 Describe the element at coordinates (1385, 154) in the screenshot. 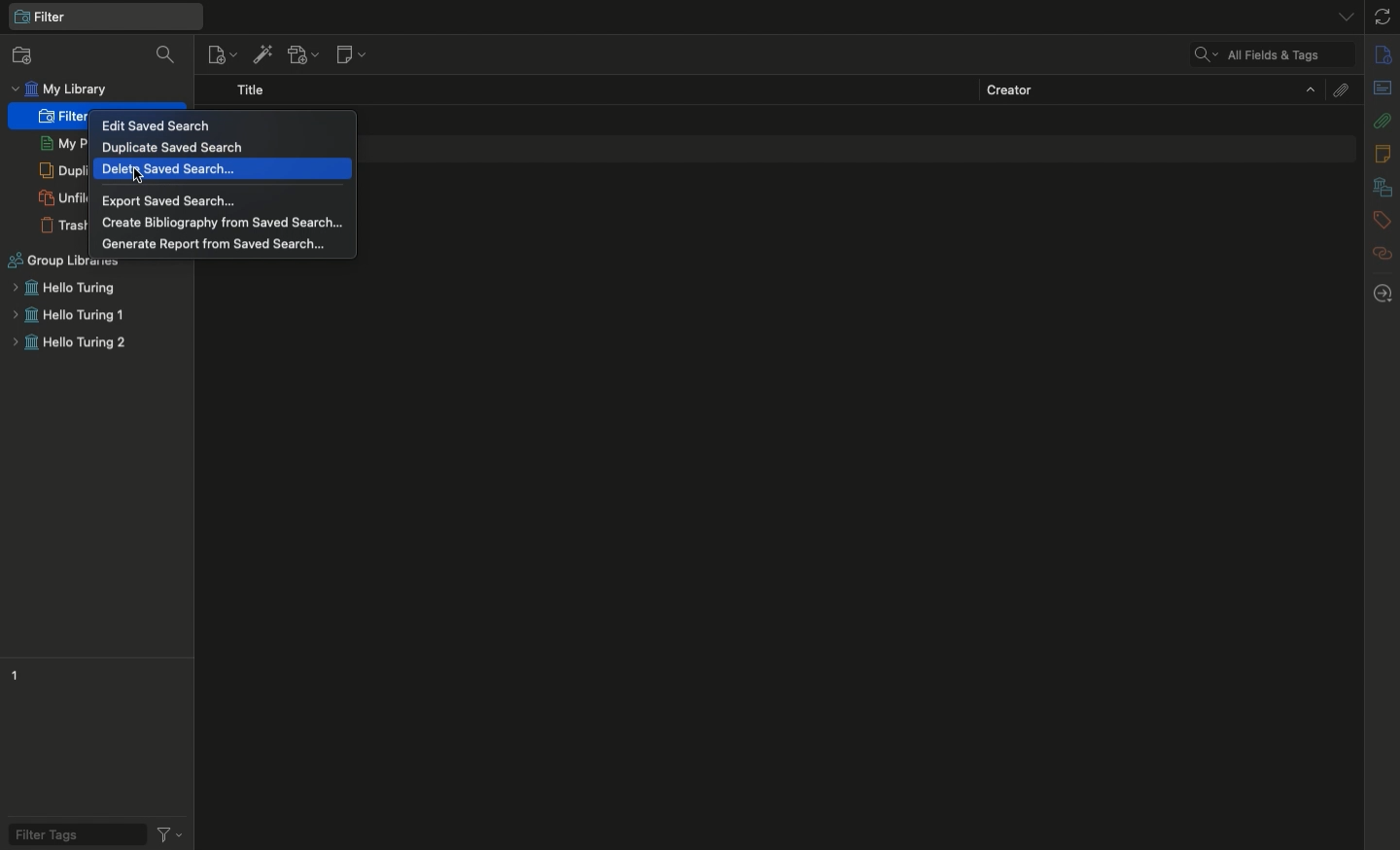

I see `Notes` at that location.